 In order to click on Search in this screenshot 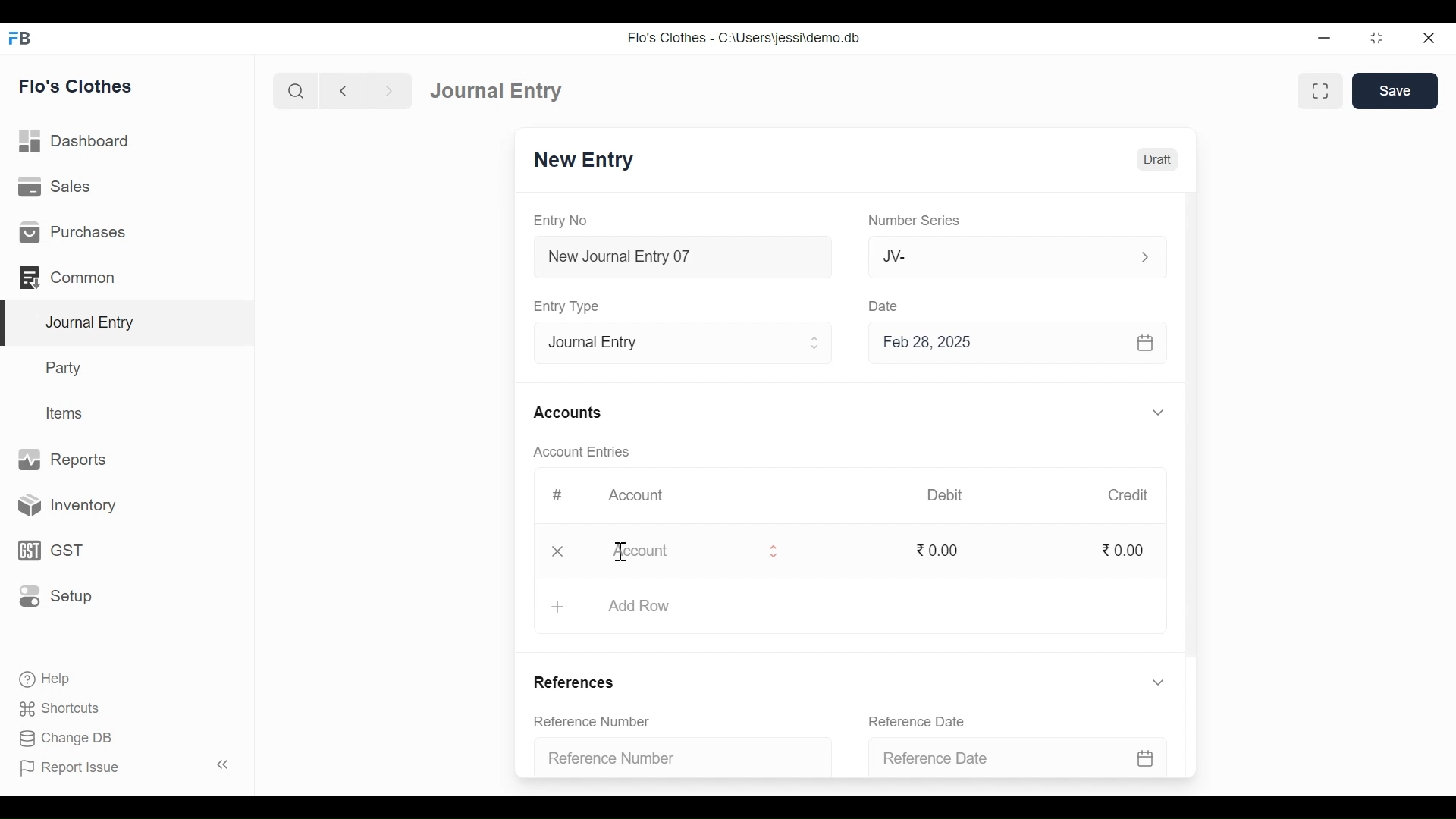, I will do `click(296, 92)`.